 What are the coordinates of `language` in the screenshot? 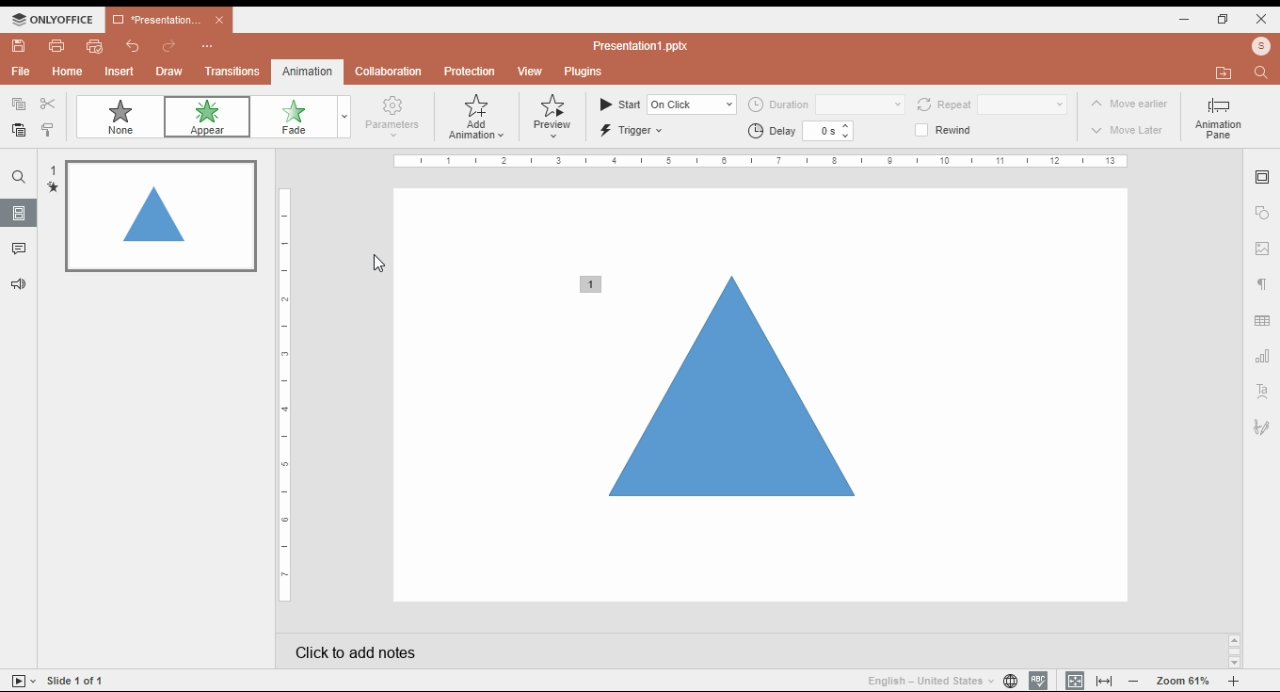 It's located at (933, 679).